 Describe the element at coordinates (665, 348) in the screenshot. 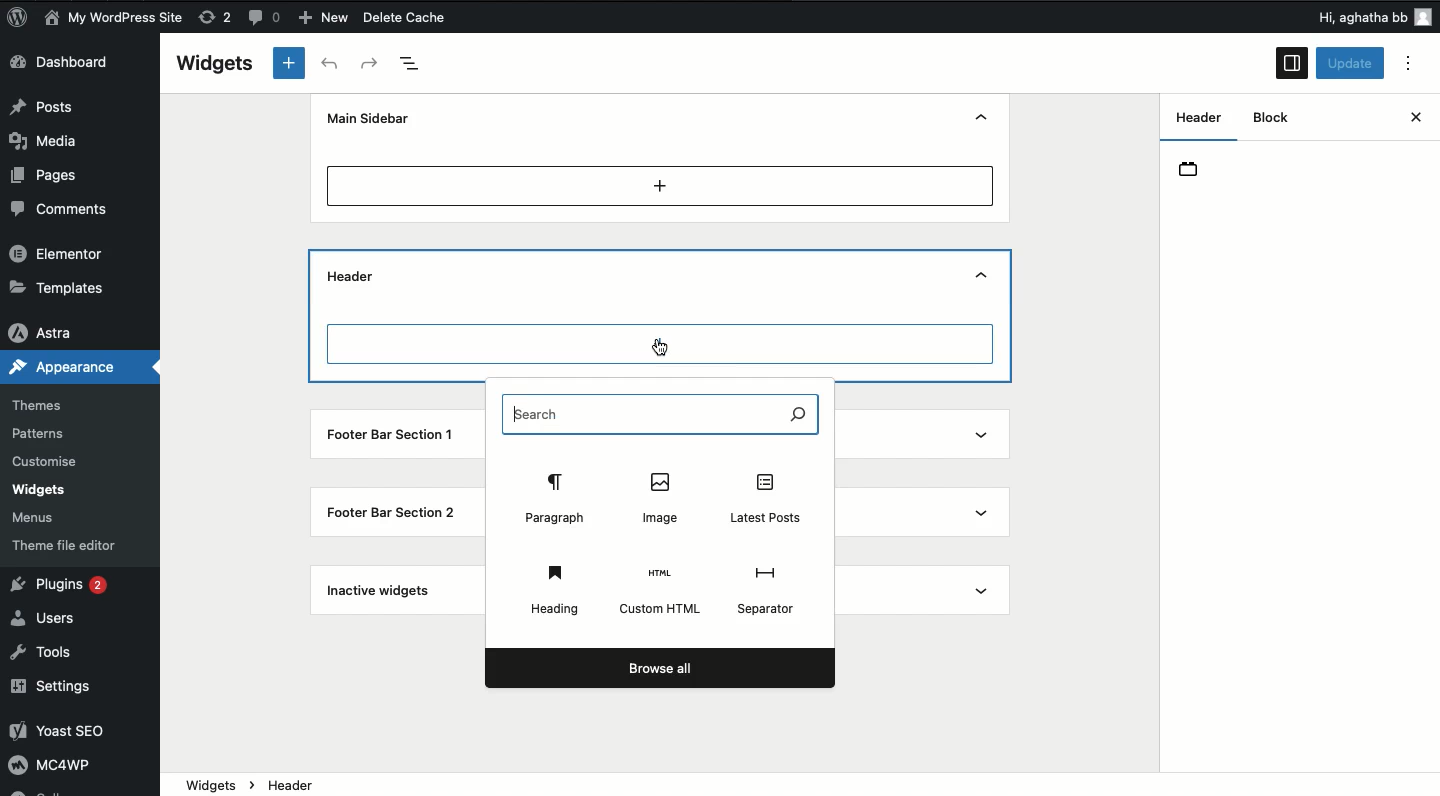

I see `cursor` at that location.